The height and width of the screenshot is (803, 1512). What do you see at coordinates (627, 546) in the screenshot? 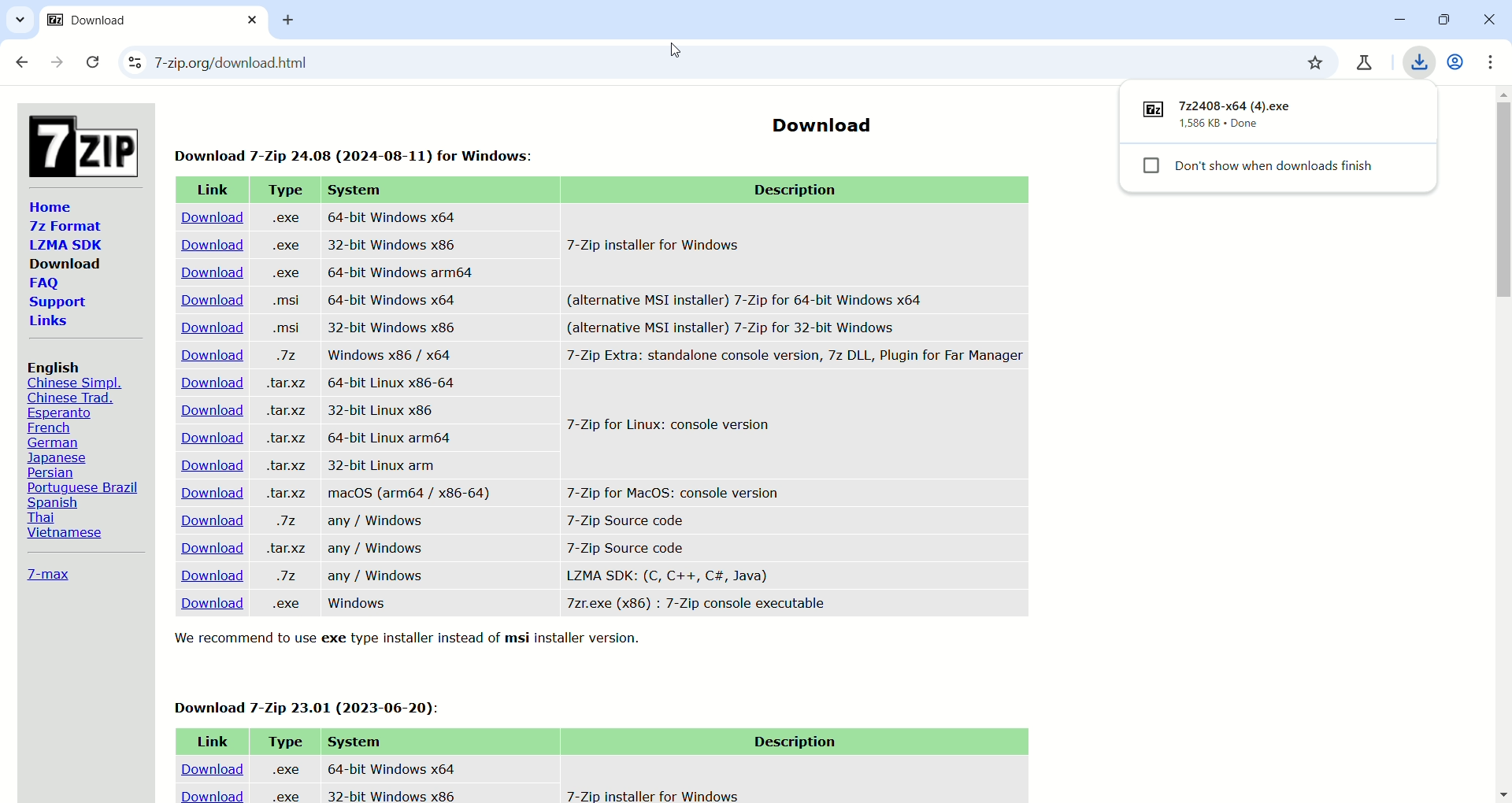
I see `7-Zip Source code` at bounding box center [627, 546].